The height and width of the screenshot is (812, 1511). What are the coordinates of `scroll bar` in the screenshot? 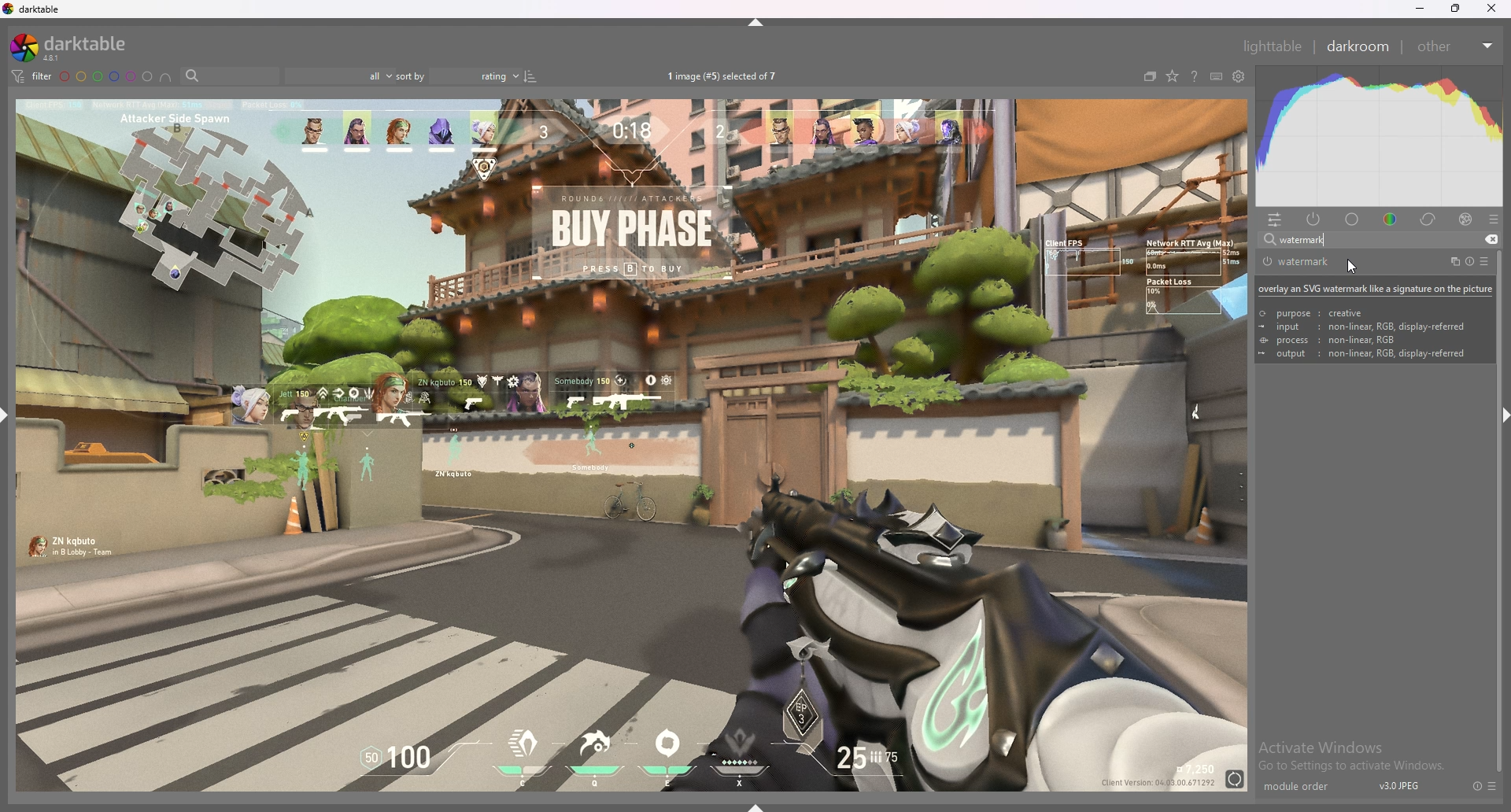 It's located at (1495, 600).